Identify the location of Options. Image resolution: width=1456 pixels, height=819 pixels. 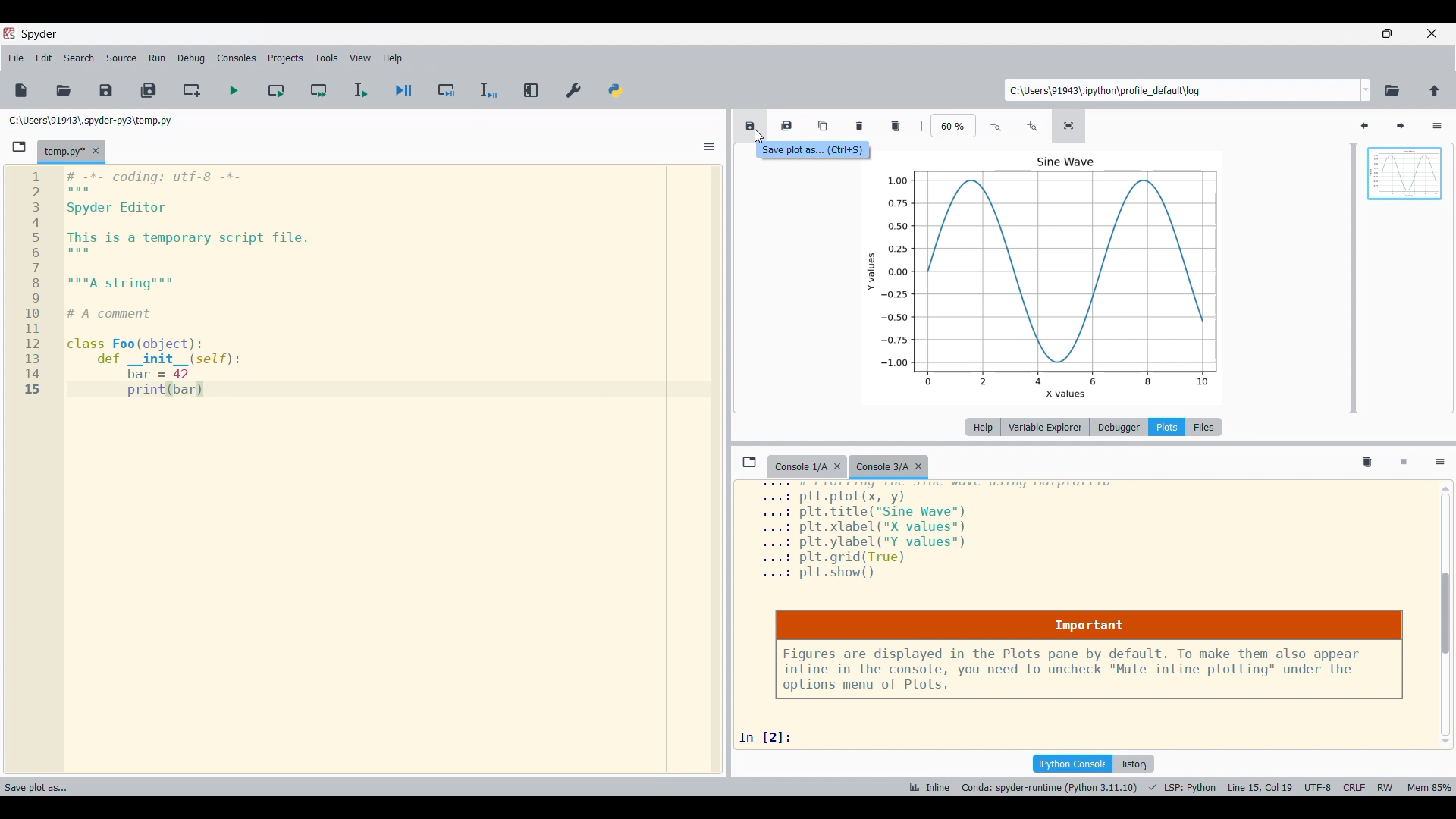
(1441, 463).